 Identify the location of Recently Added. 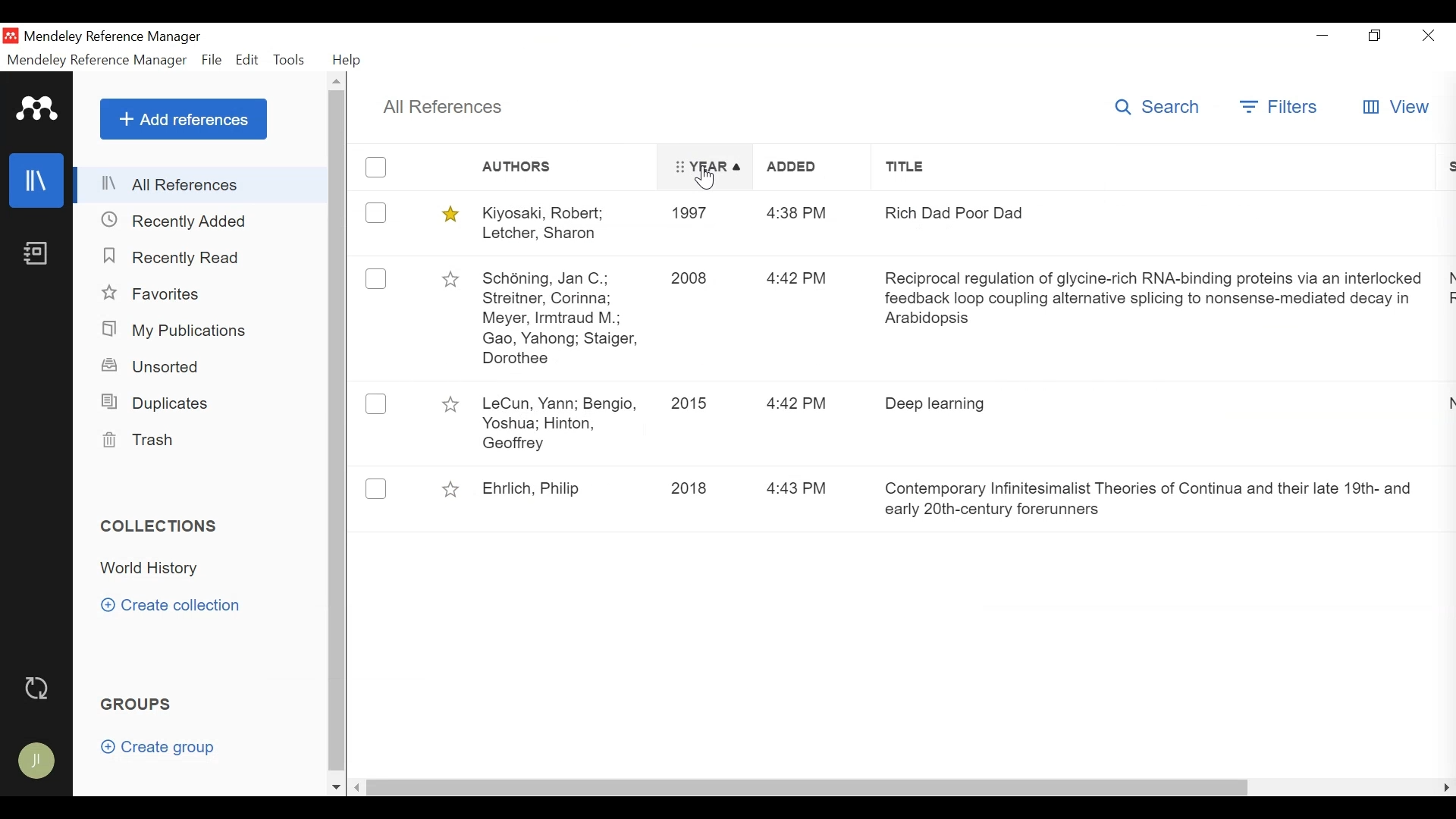
(178, 221).